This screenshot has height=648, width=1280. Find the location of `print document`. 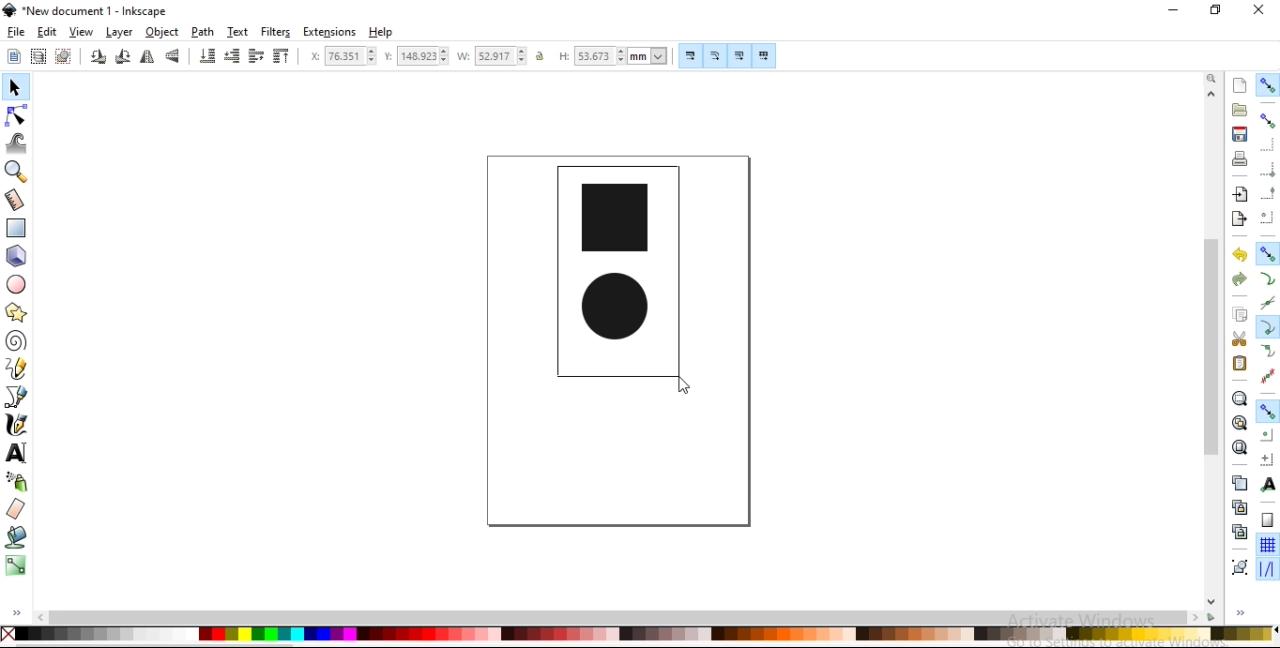

print document is located at coordinates (1240, 159).